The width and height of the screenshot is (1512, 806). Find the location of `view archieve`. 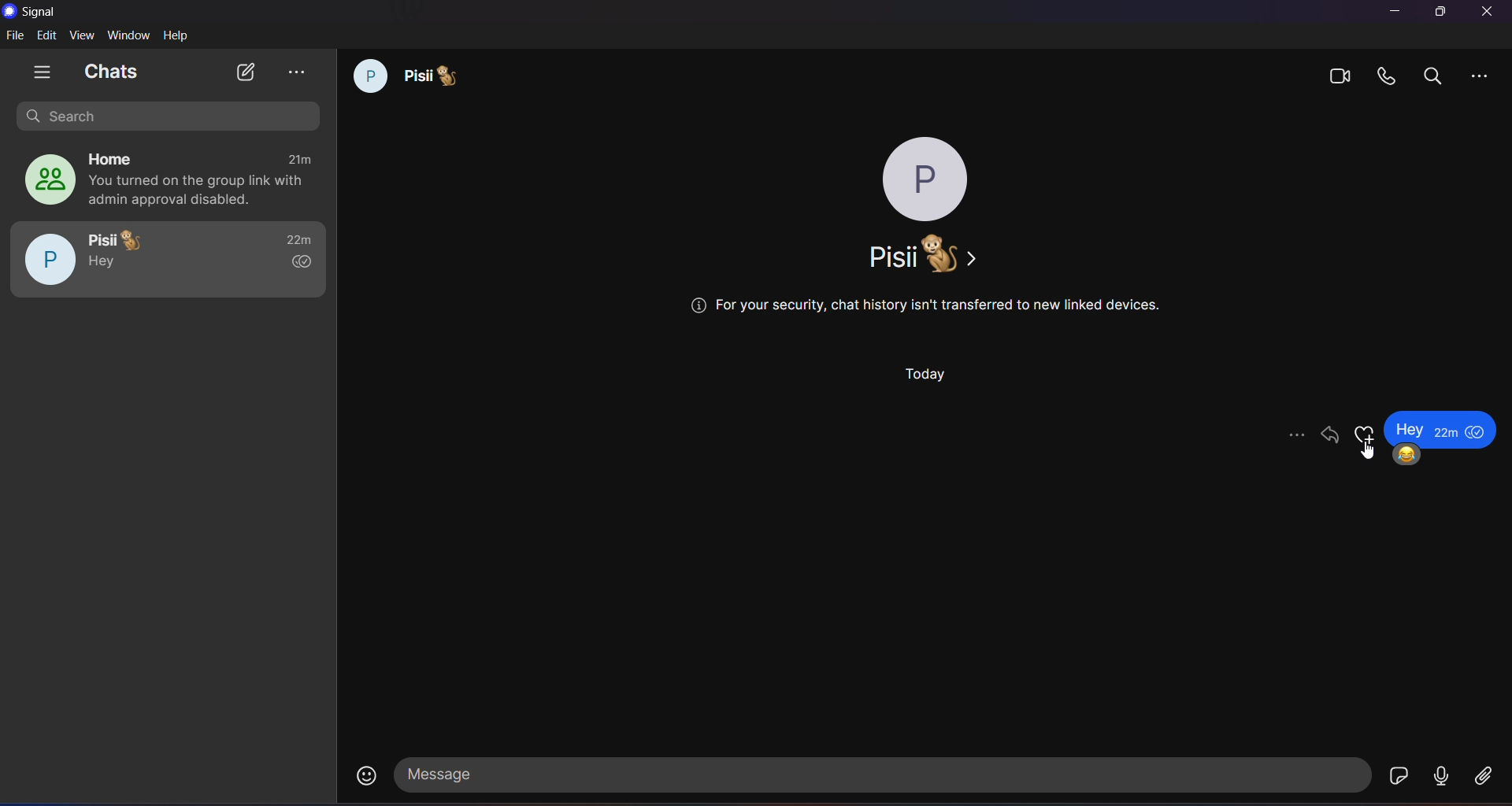

view archieve is located at coordinates (295, 72).